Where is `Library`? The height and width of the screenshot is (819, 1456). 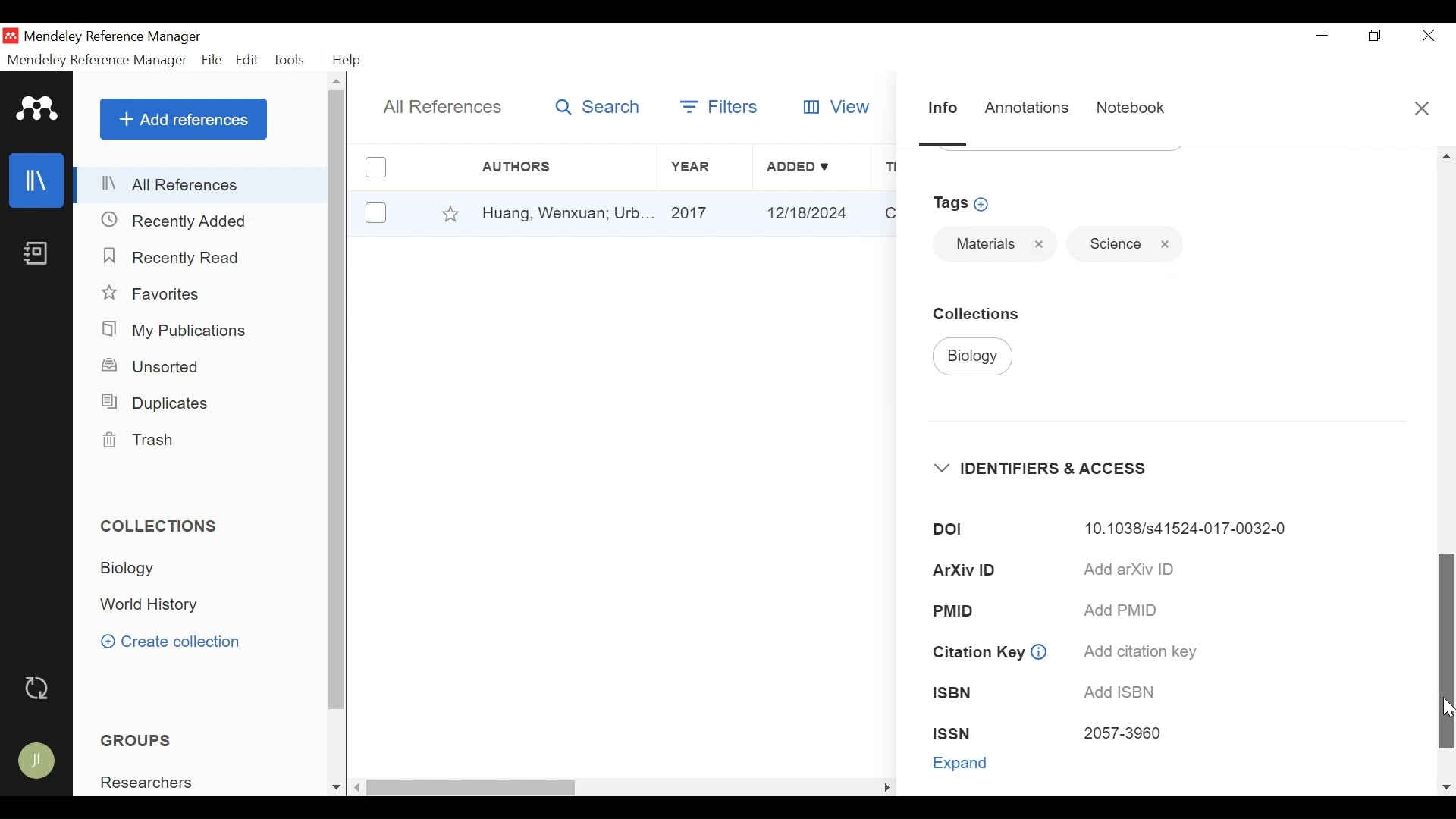 Library is located at coordinates (39, 180).